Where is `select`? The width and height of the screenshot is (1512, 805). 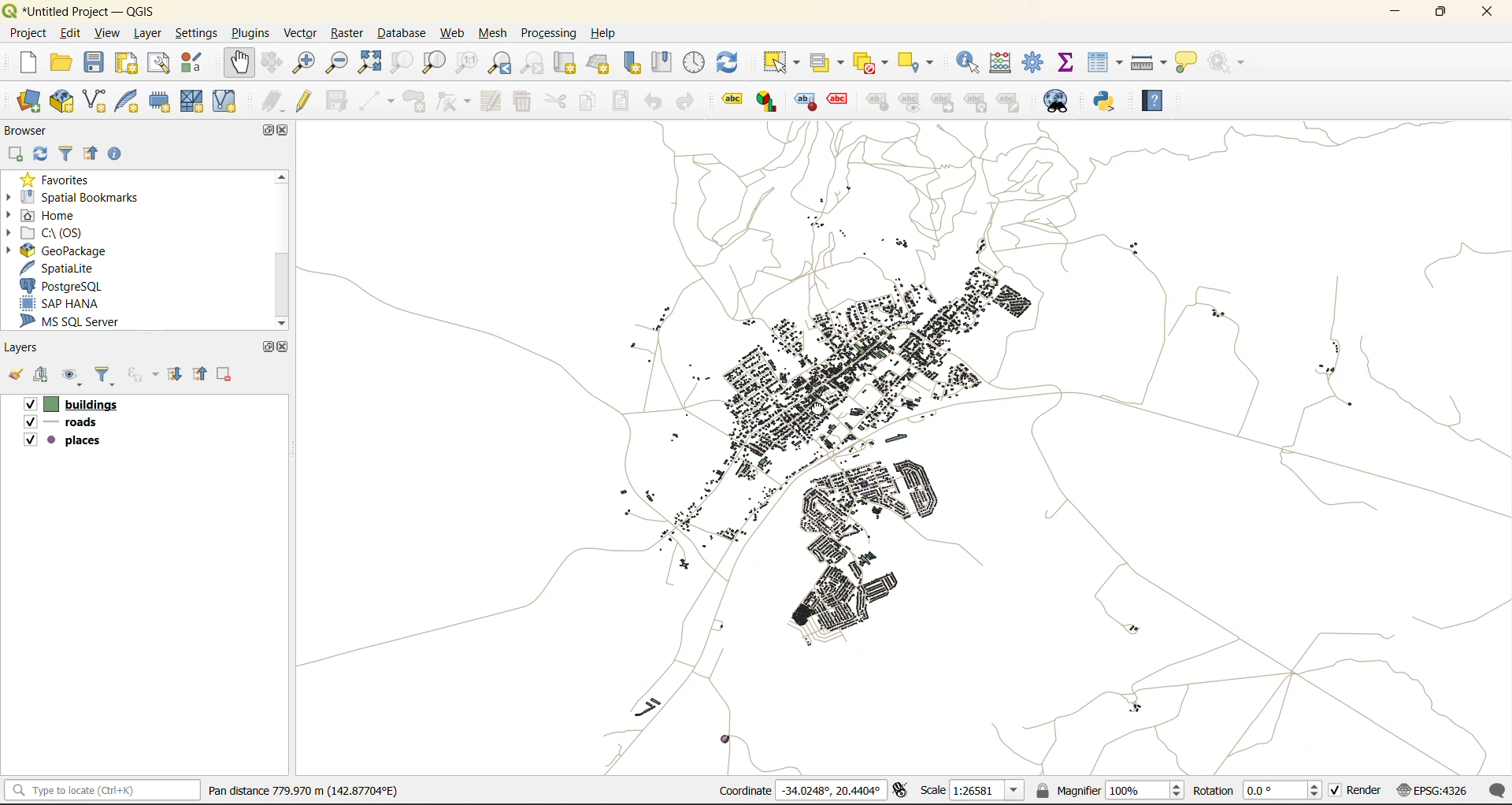 select is located at coordinates (784, 61).